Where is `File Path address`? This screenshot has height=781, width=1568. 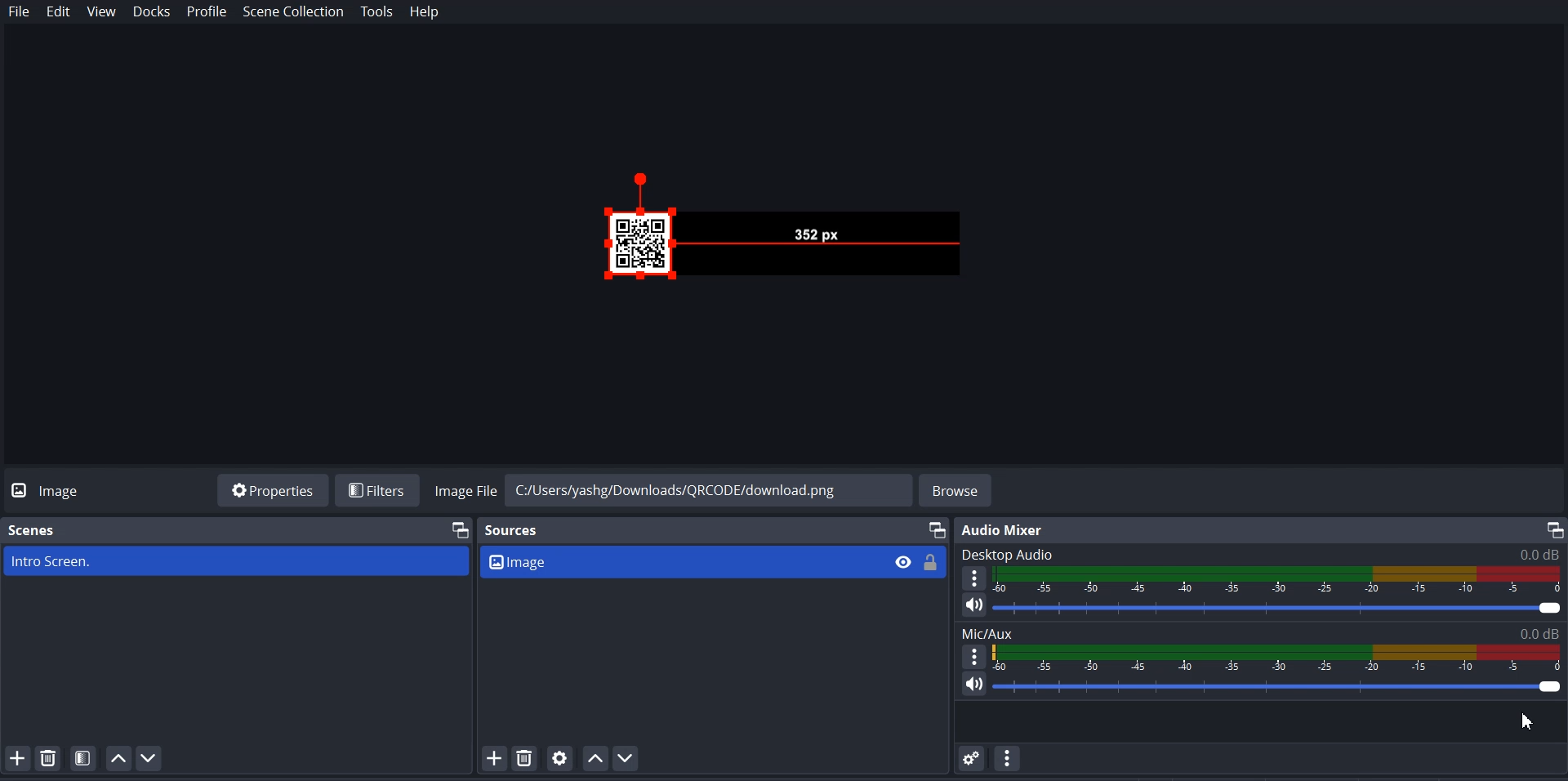 File Path address is located at coordinates (672, 489).